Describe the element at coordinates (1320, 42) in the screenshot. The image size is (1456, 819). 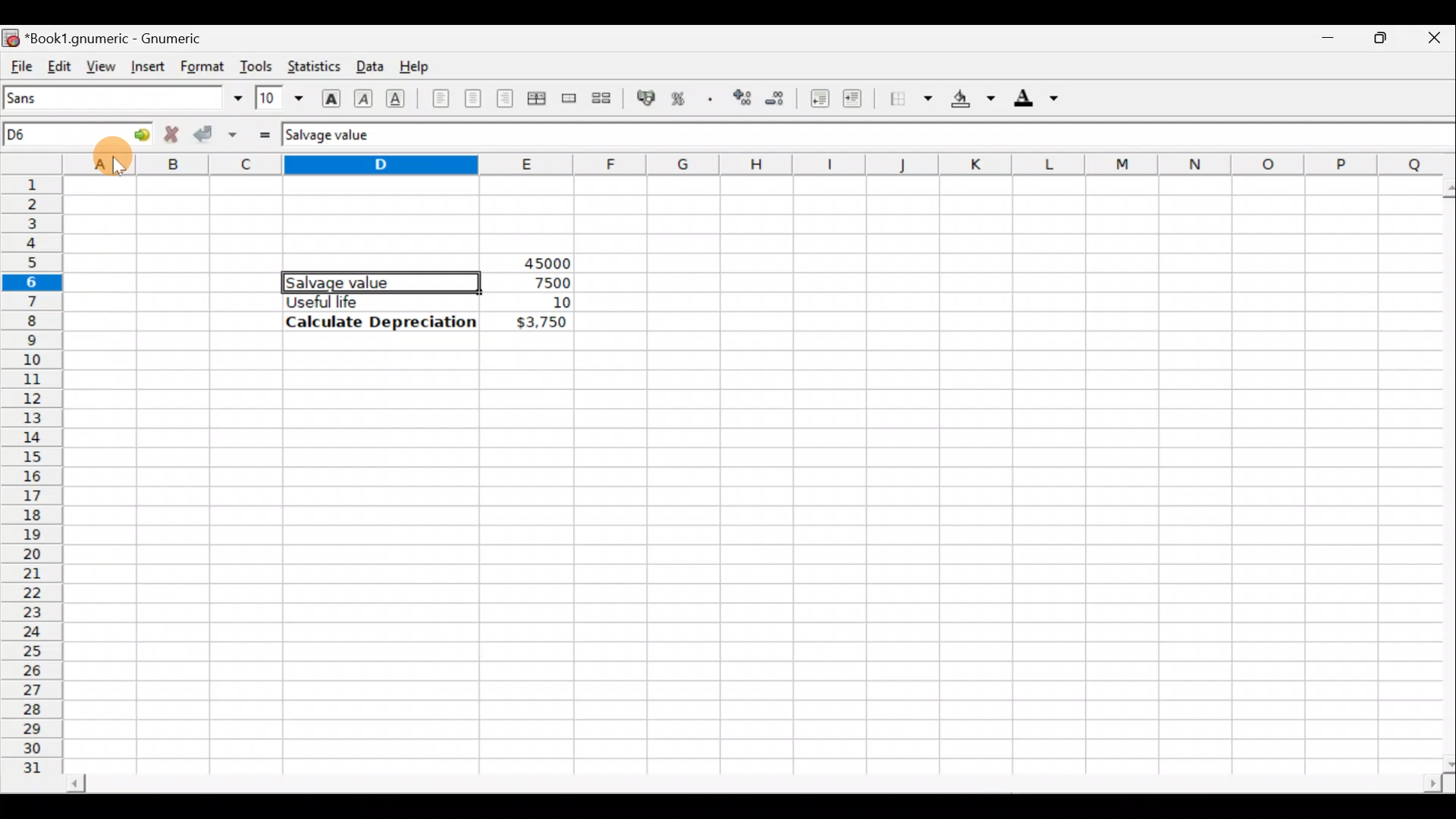
I see `Minimize` at that location.